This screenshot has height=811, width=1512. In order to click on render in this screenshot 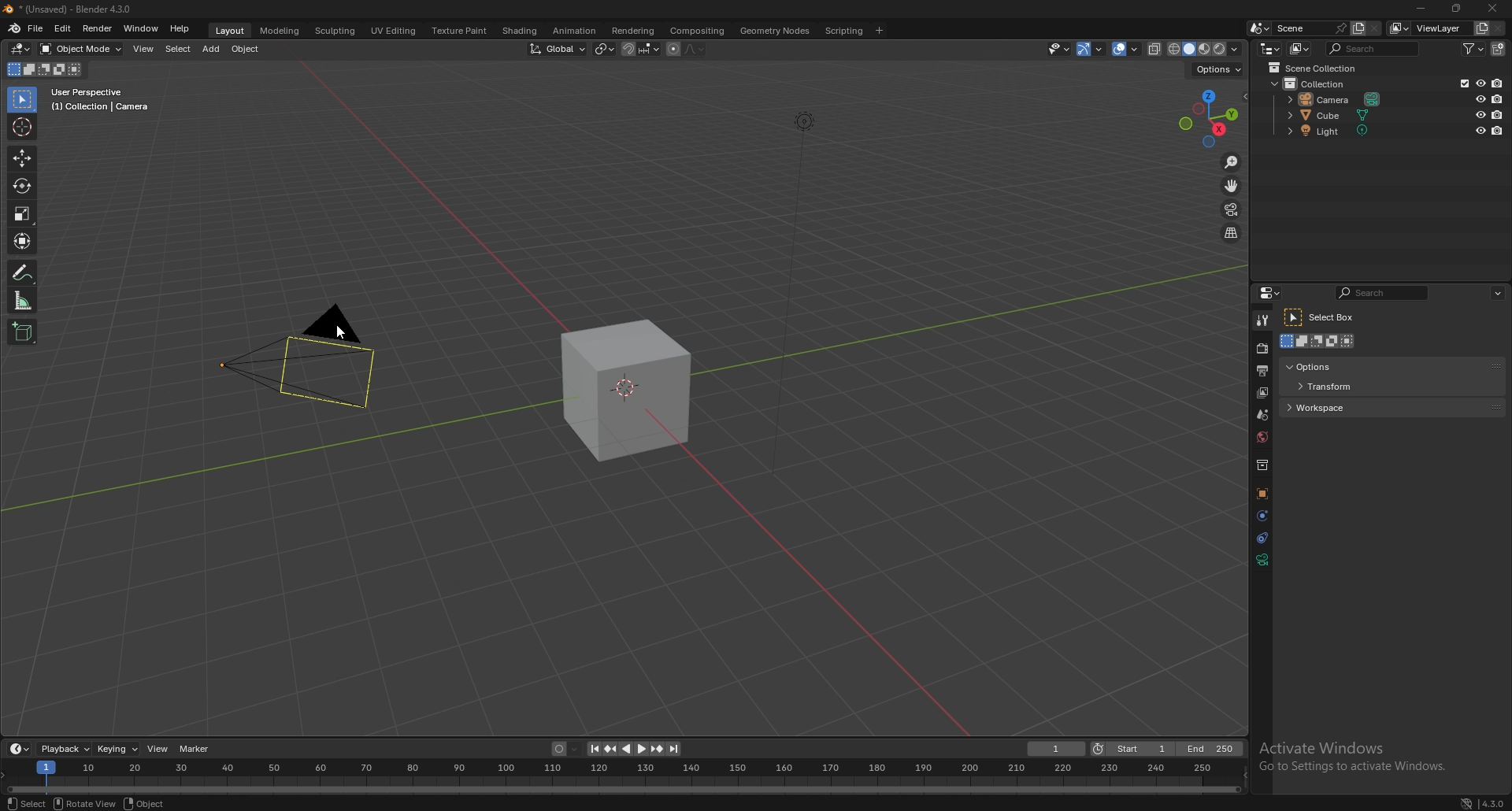, I will do `click(1261, 350)`.